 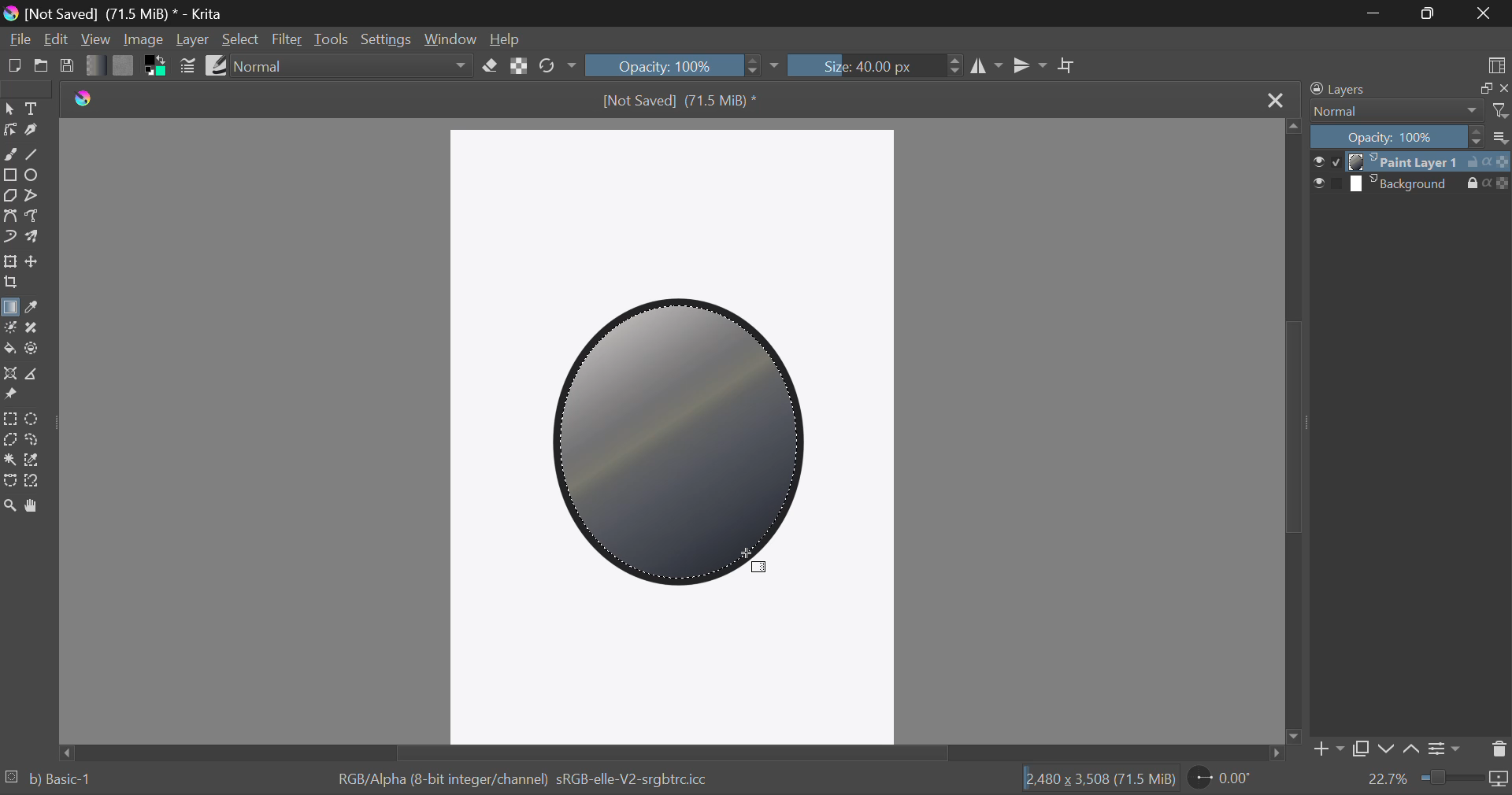 I want to click on Crop, so click(x=11, y=284).